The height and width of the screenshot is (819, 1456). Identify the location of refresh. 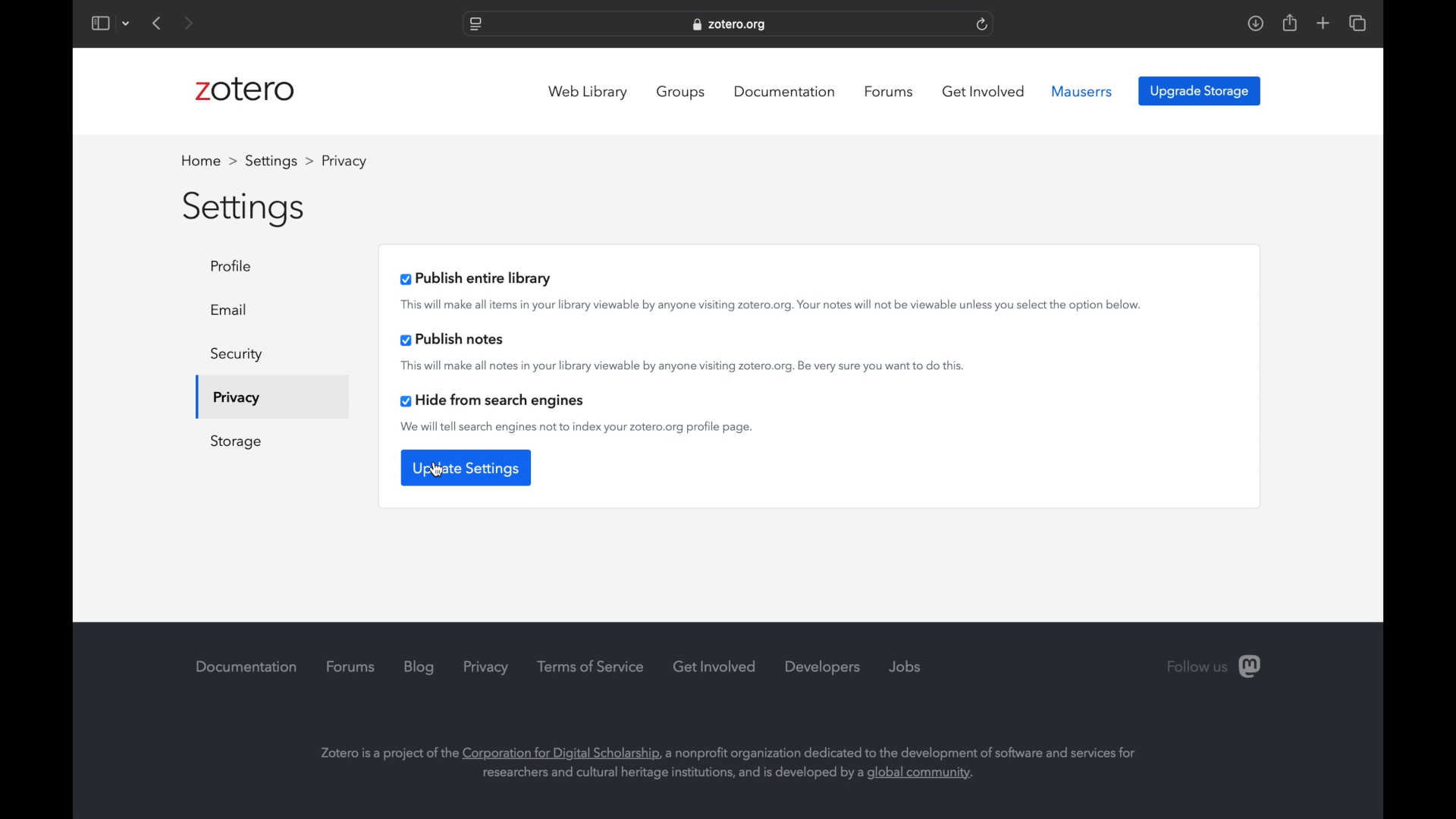
(982, 25).